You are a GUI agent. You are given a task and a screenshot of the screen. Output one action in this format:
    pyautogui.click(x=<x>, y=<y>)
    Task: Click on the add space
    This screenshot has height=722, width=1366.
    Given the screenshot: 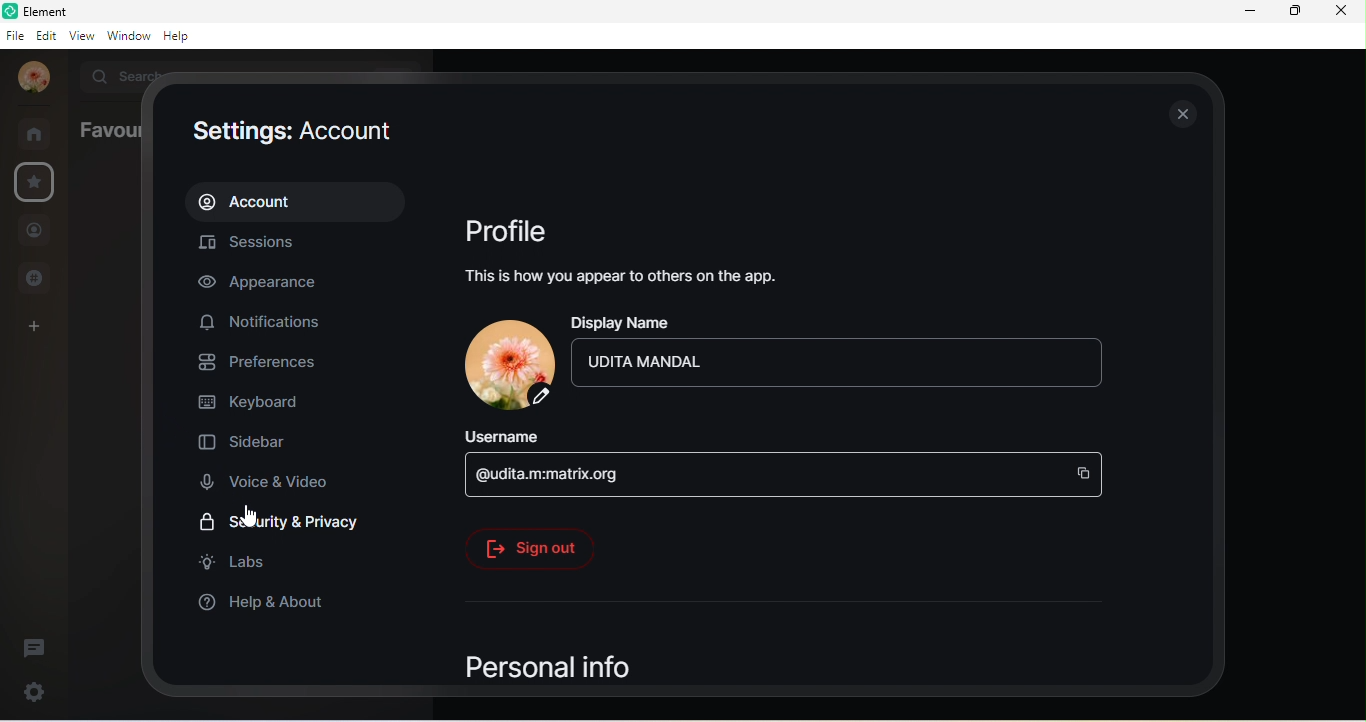 What is the action you would take?
    pyautogui.click(x=30, y=332)
    